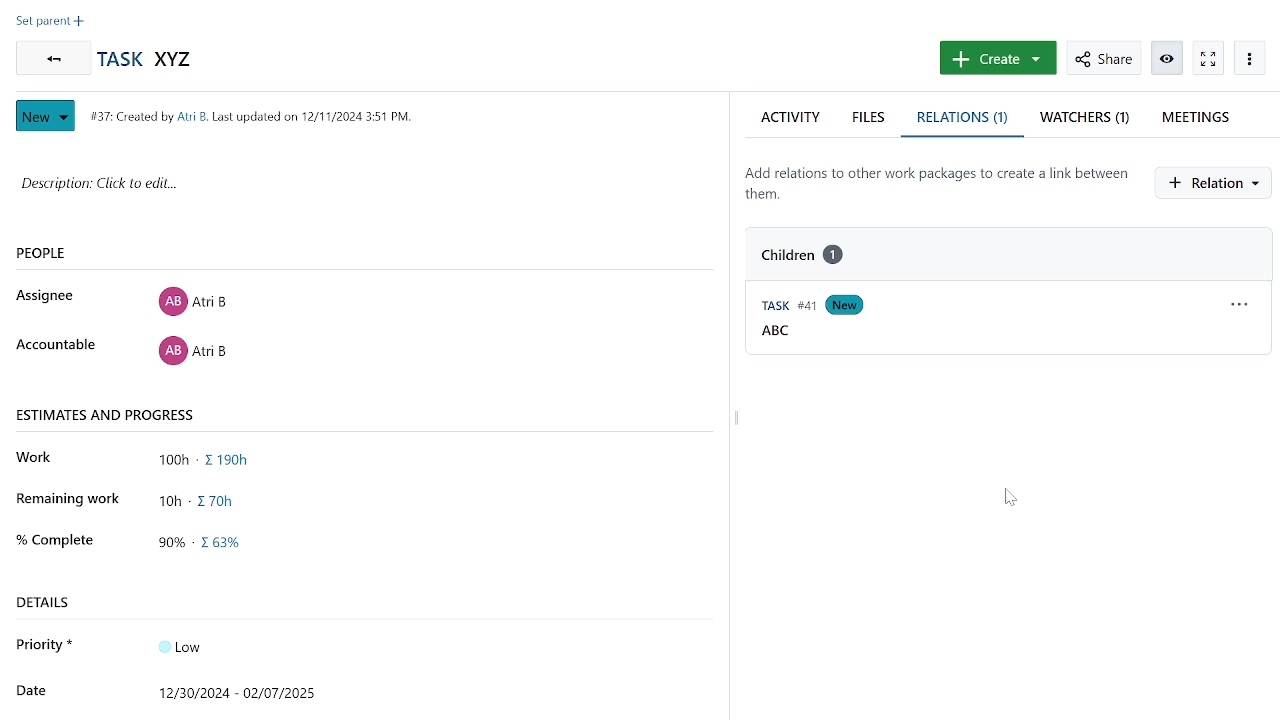 The image size is (1280, 720). Describe the element at coordinates (150, 60) in the screenshot. I see `task name` at that location.